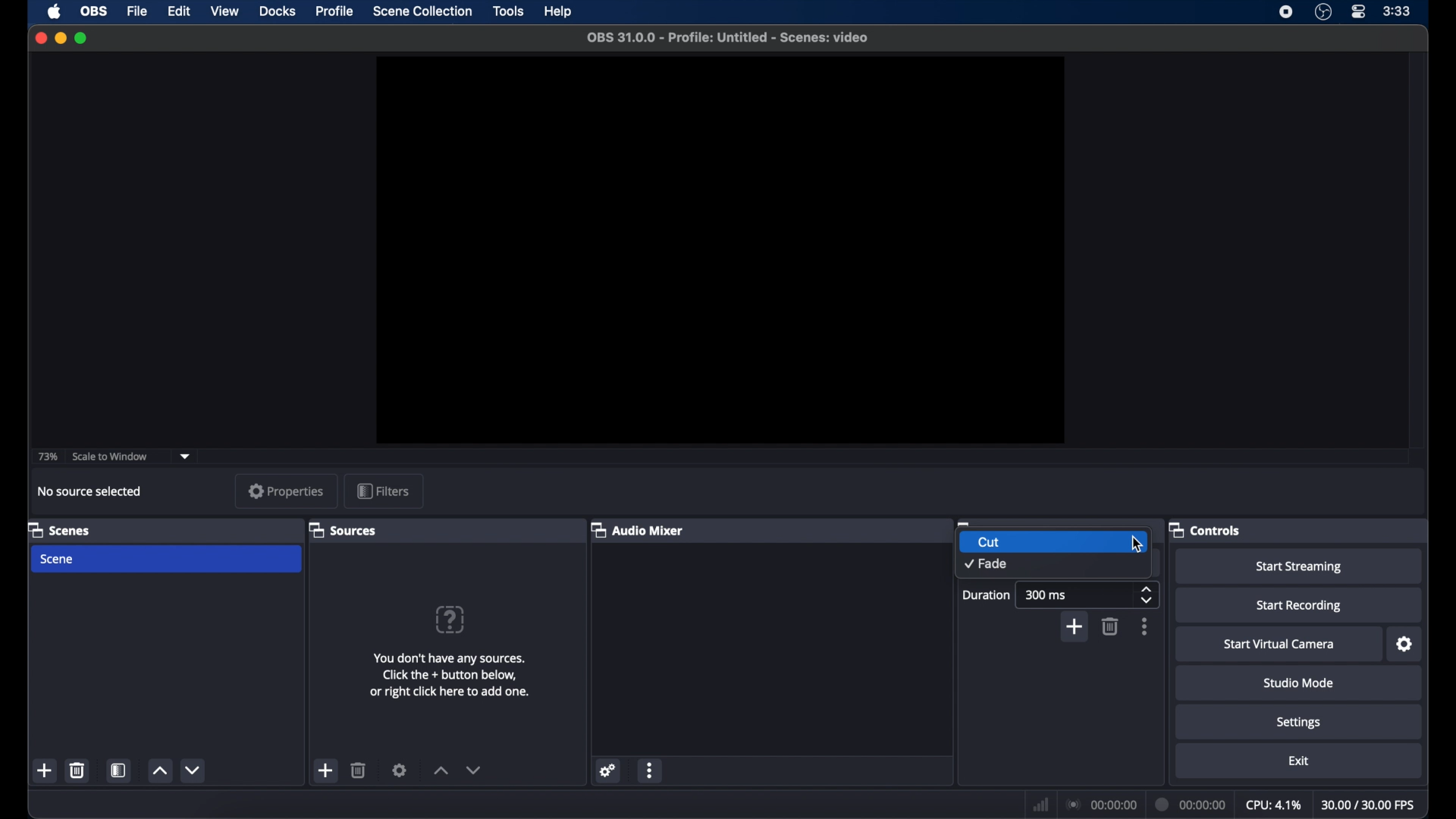  I want to click on audio mixer, so click(637, 529).